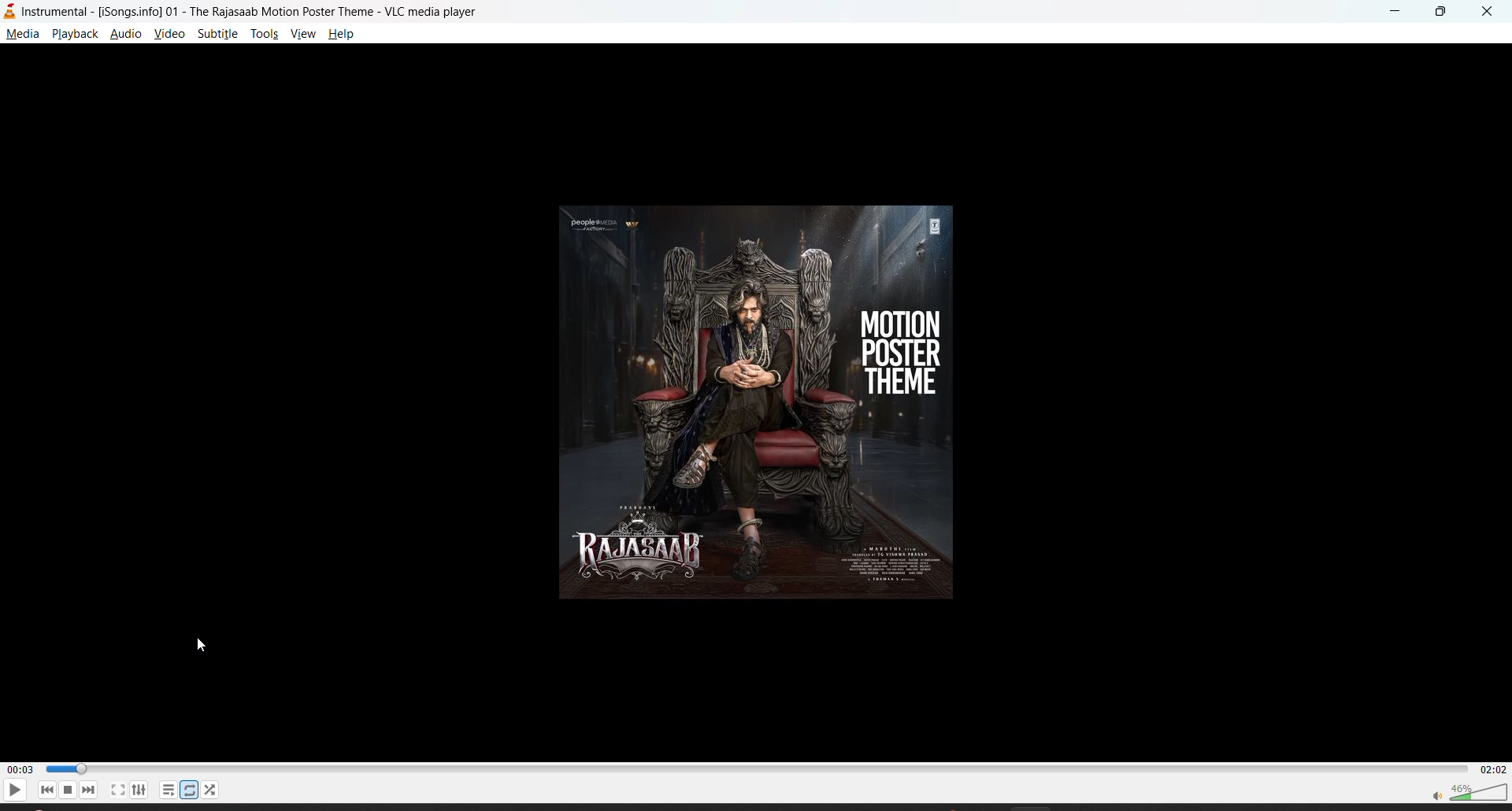 The image size is (1512, 811). I want to click on video, so click(169, 36).